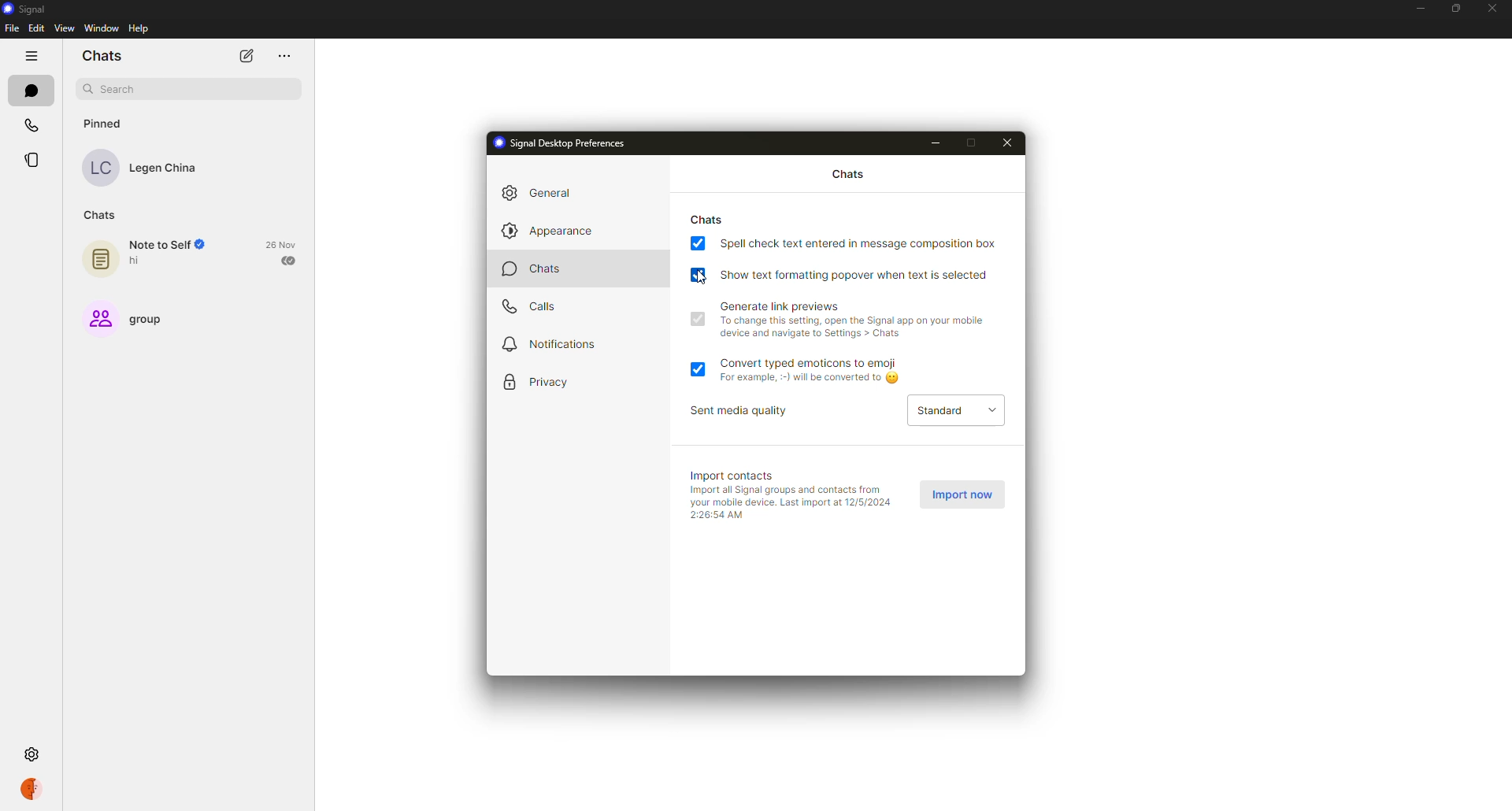 Image resolution: width=1512 pixels, height=811 pixels. What do you see at coordinates (564, 143) in the screenshot?
I see `signal desktop preferences` at bounding box center [564, 143].